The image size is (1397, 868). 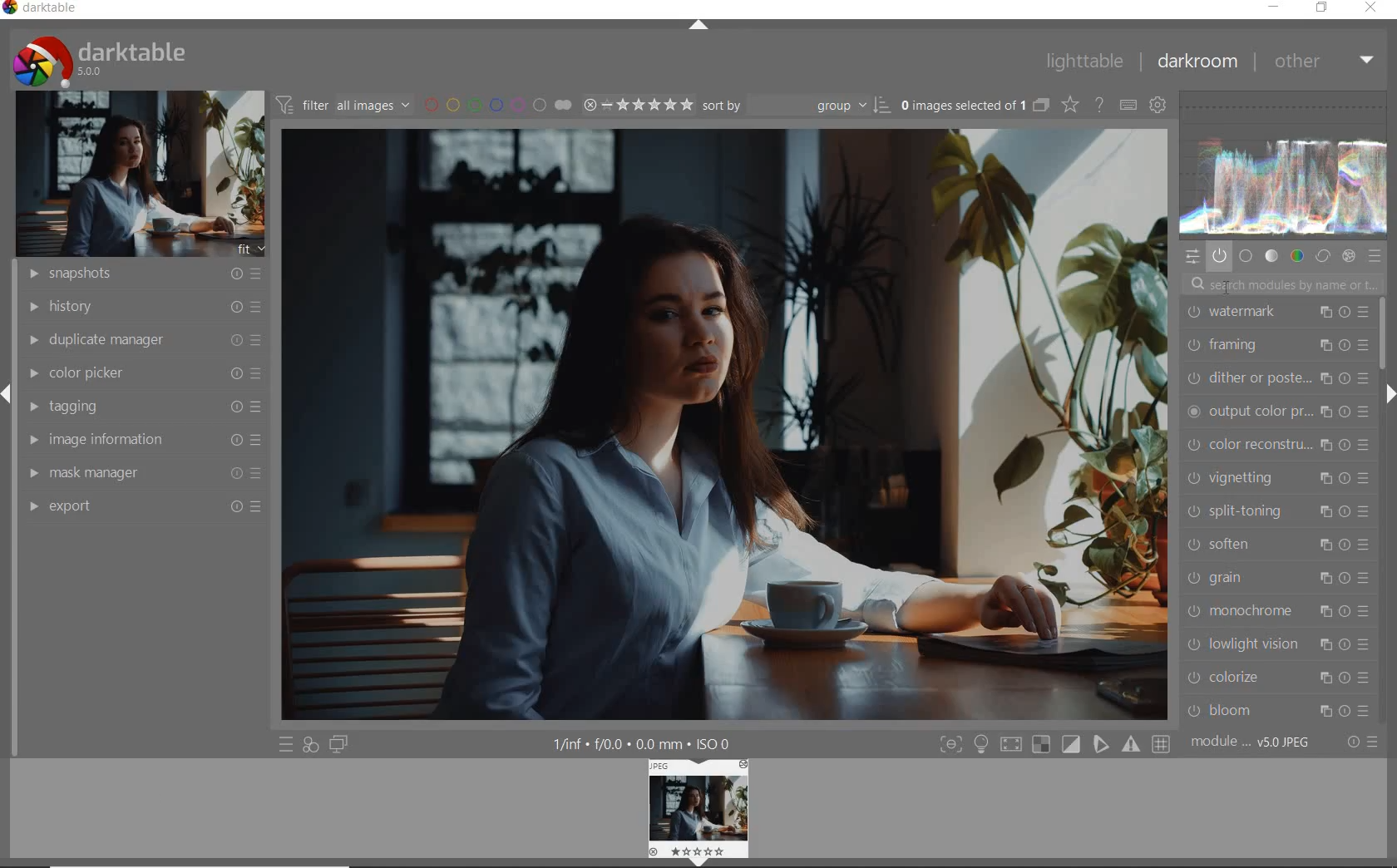 What do you see at coordinates (342, 746) in the screenshot?
I see `display a second darkroom image widow` at bounding box center [342, 746].